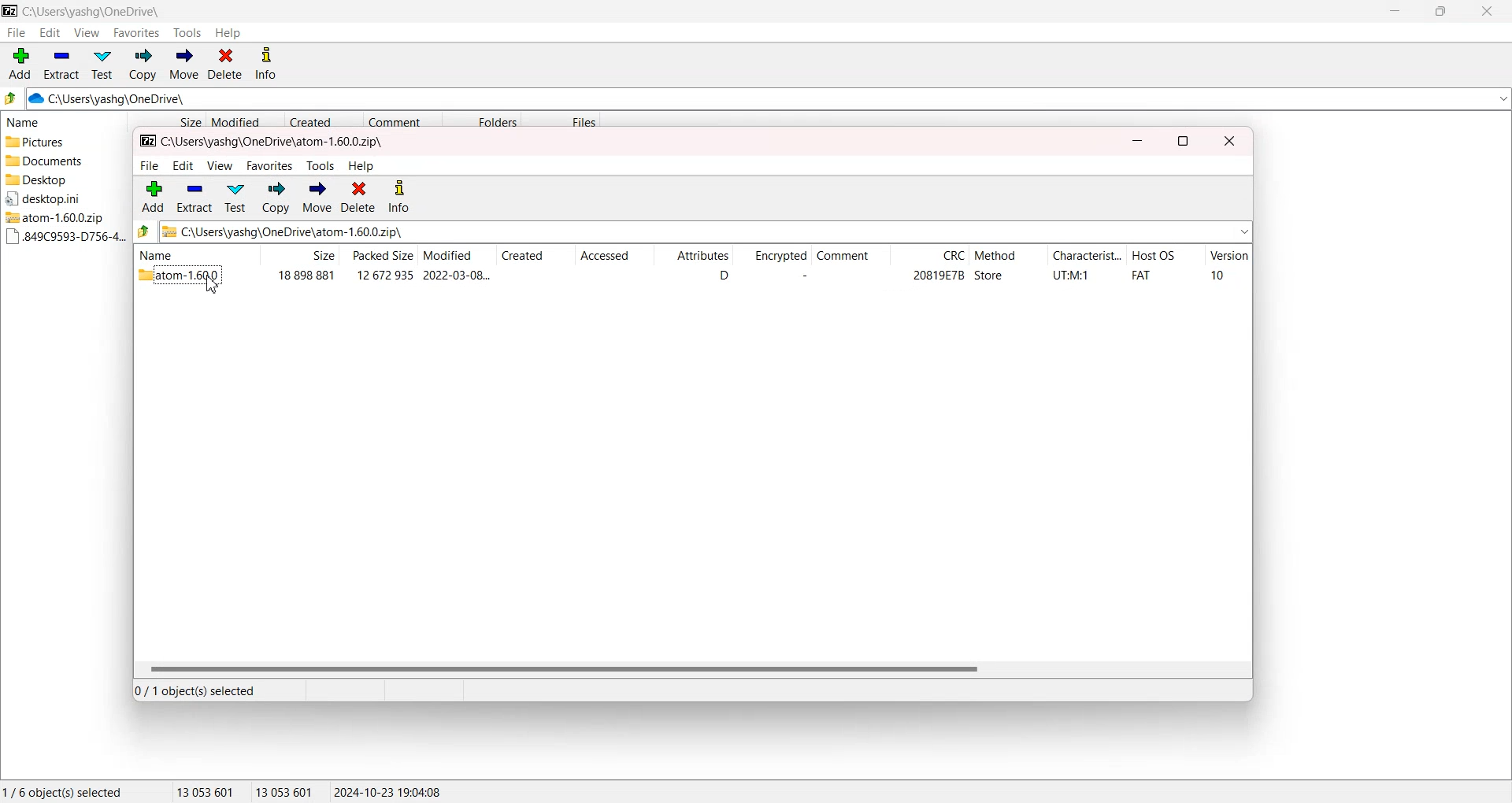  Describe the element at coordinates (283, 231) in the screenshot. I see `Zip file path address - C:\Users\yashg\OneDrive\atom-1.60.0.zip\` at that location.